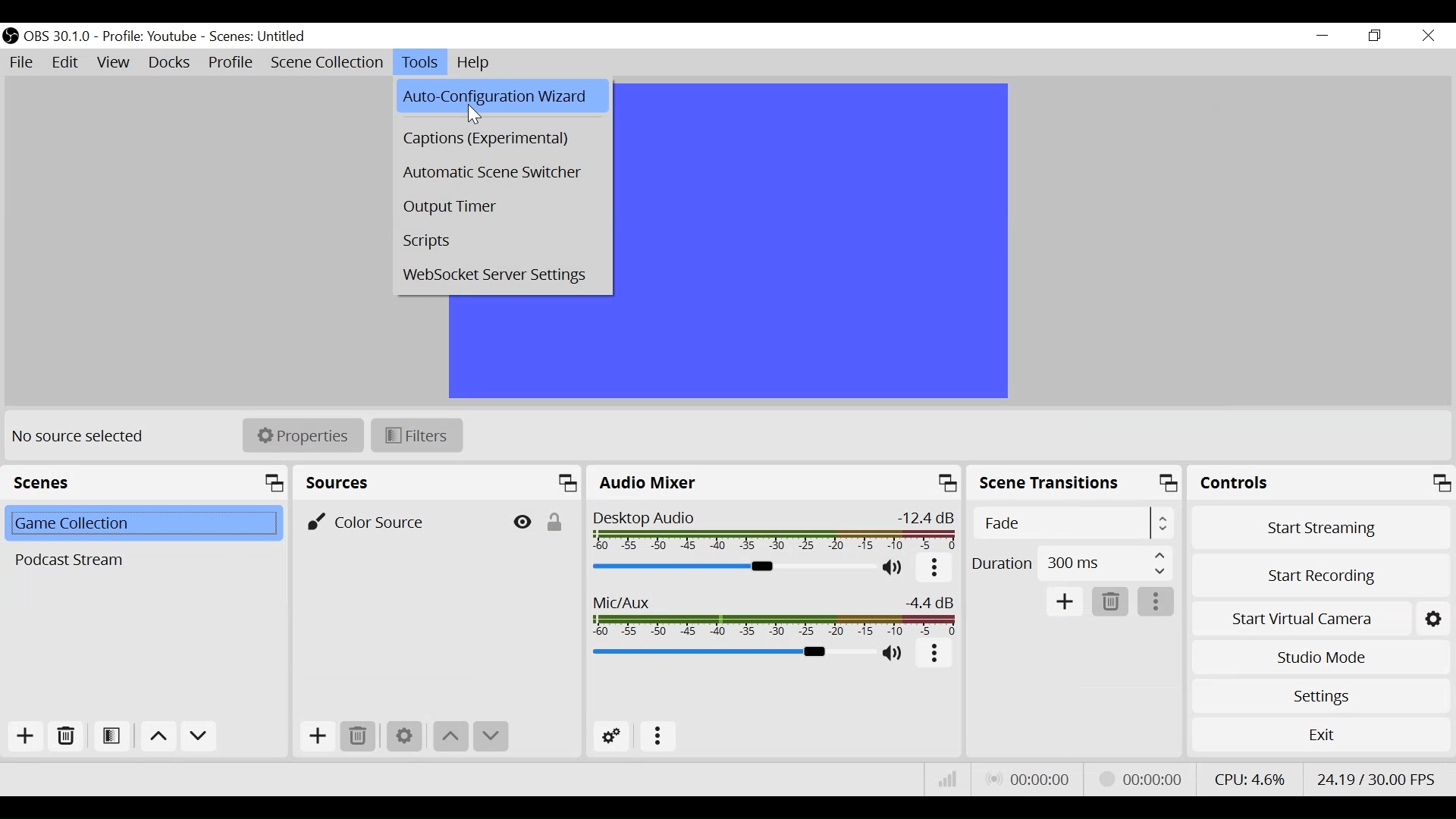 Image resolution: width=1456 pixels, height=819 pixels. I want to click on Move up, so click(156, 736).